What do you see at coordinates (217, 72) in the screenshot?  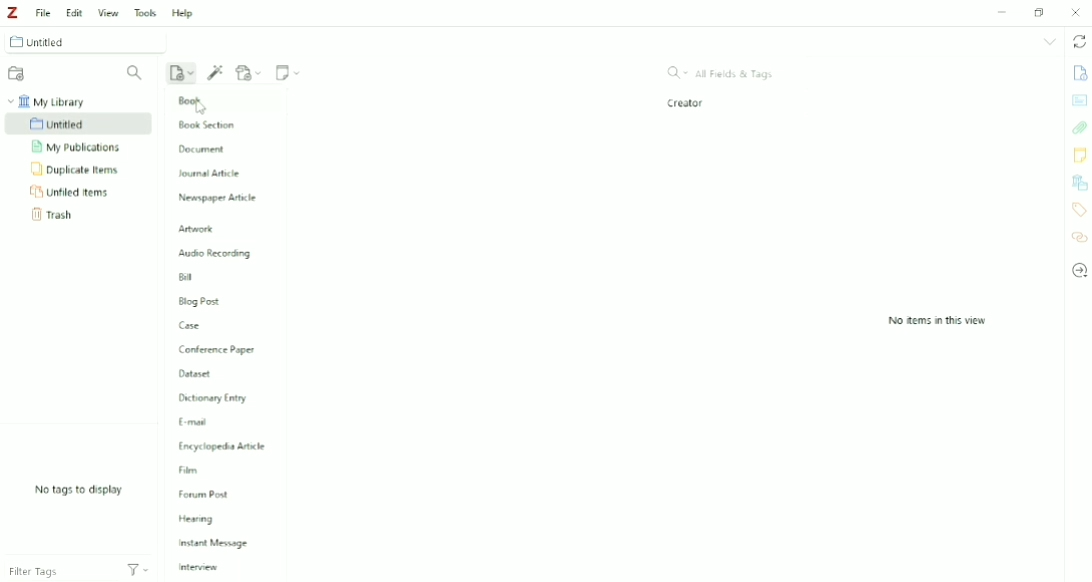 I see `Add Item (s) by Identifier` at bounding box center [217, 72].